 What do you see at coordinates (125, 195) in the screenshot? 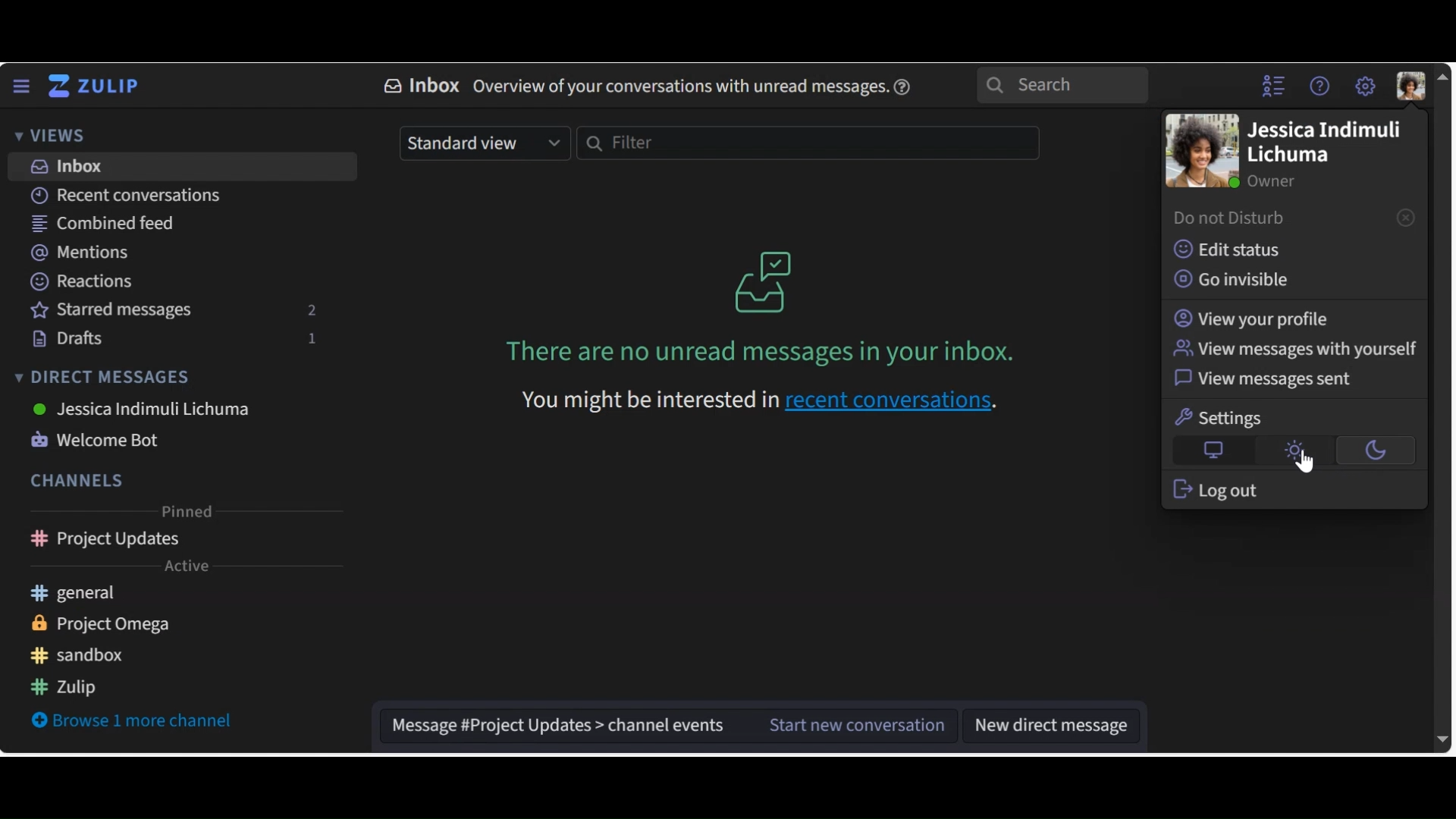
I see `Recent Conversations` at bounding box center [125, 195].